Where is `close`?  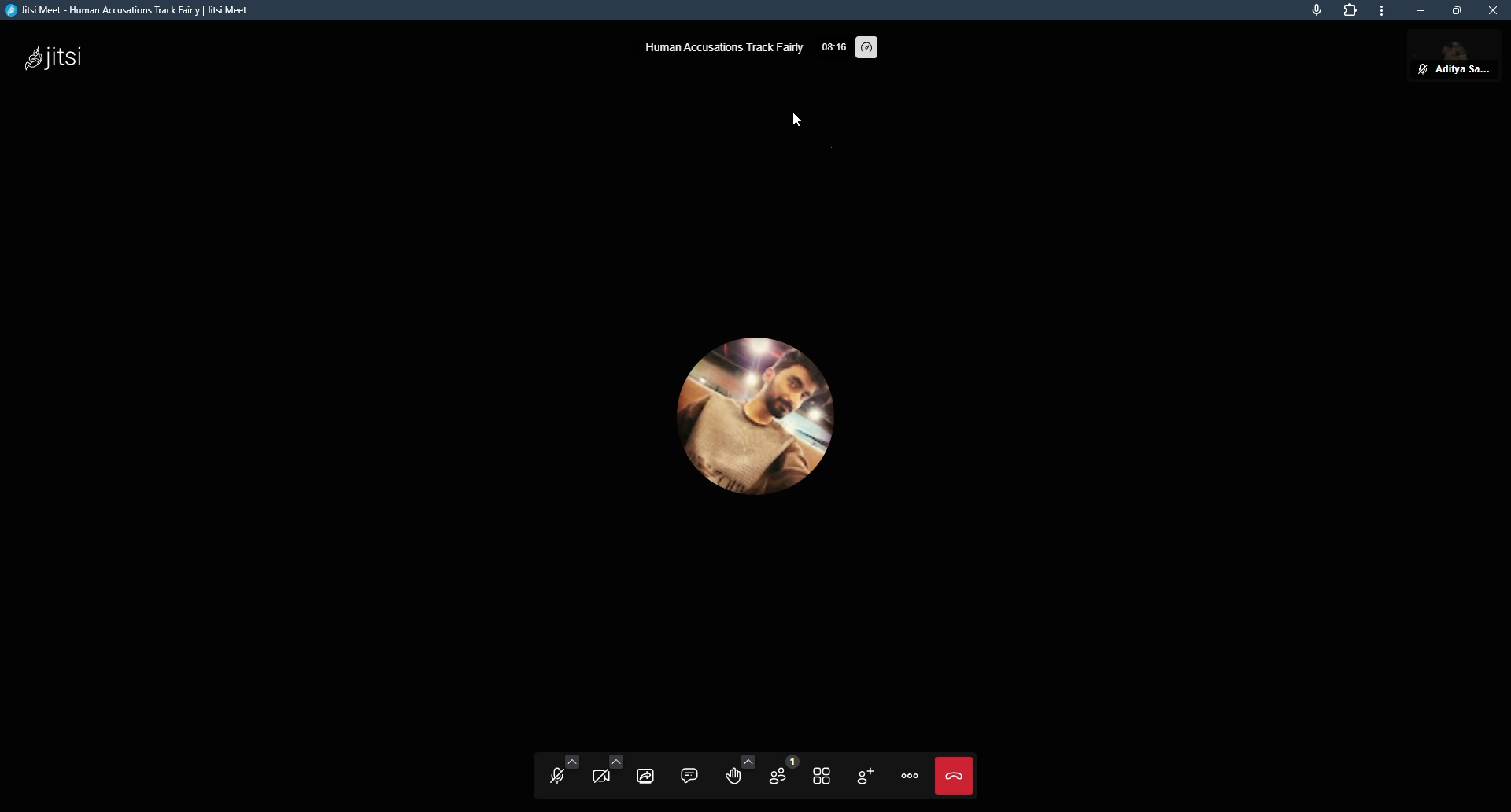
close is located at coordinates (1492, 10).